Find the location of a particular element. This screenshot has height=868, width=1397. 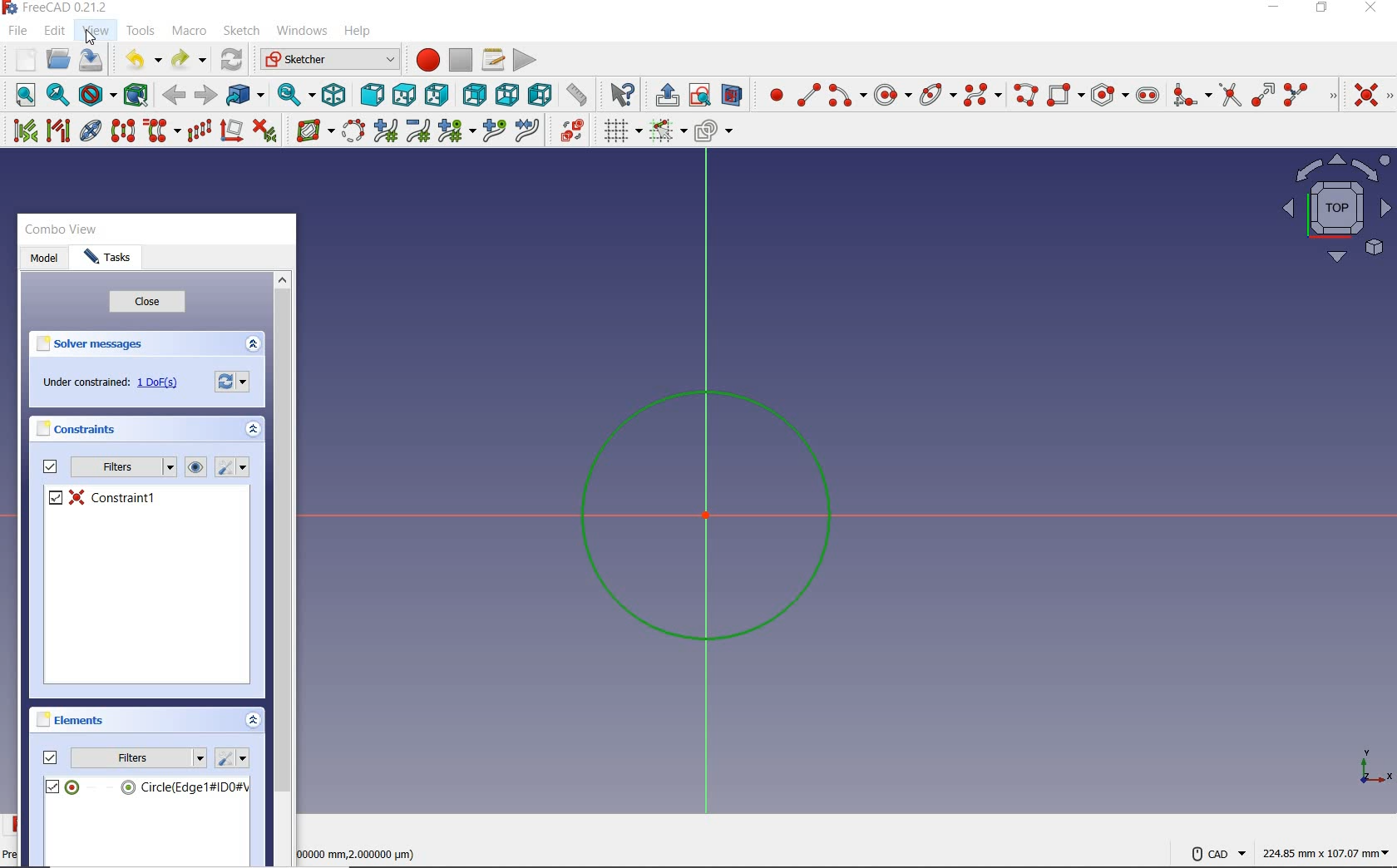

switch between workbenches is located at coordinates (327, 58).